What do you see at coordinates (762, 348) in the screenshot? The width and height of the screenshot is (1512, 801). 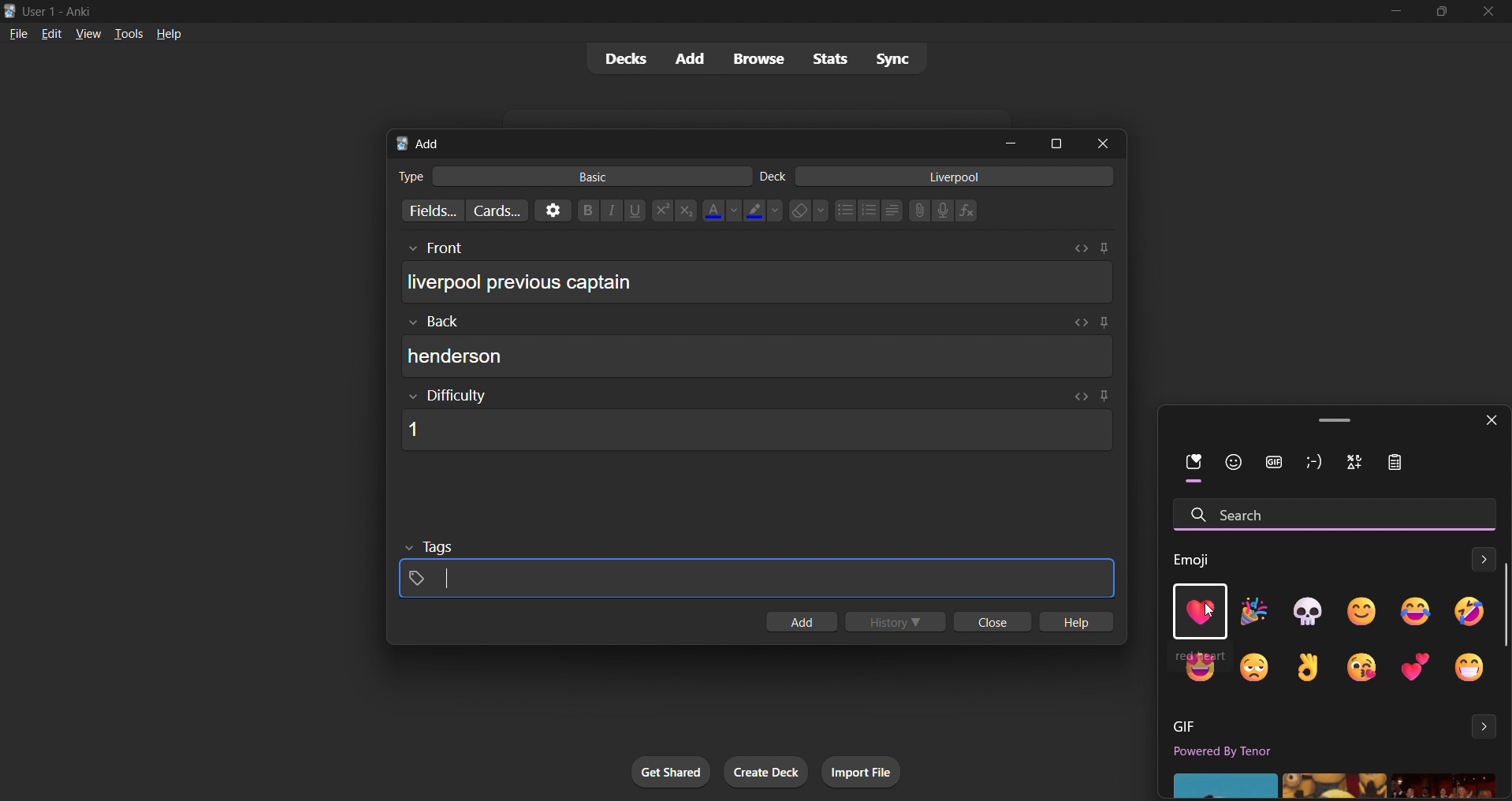 I see `card back input box` at bounding box center [762, 348].